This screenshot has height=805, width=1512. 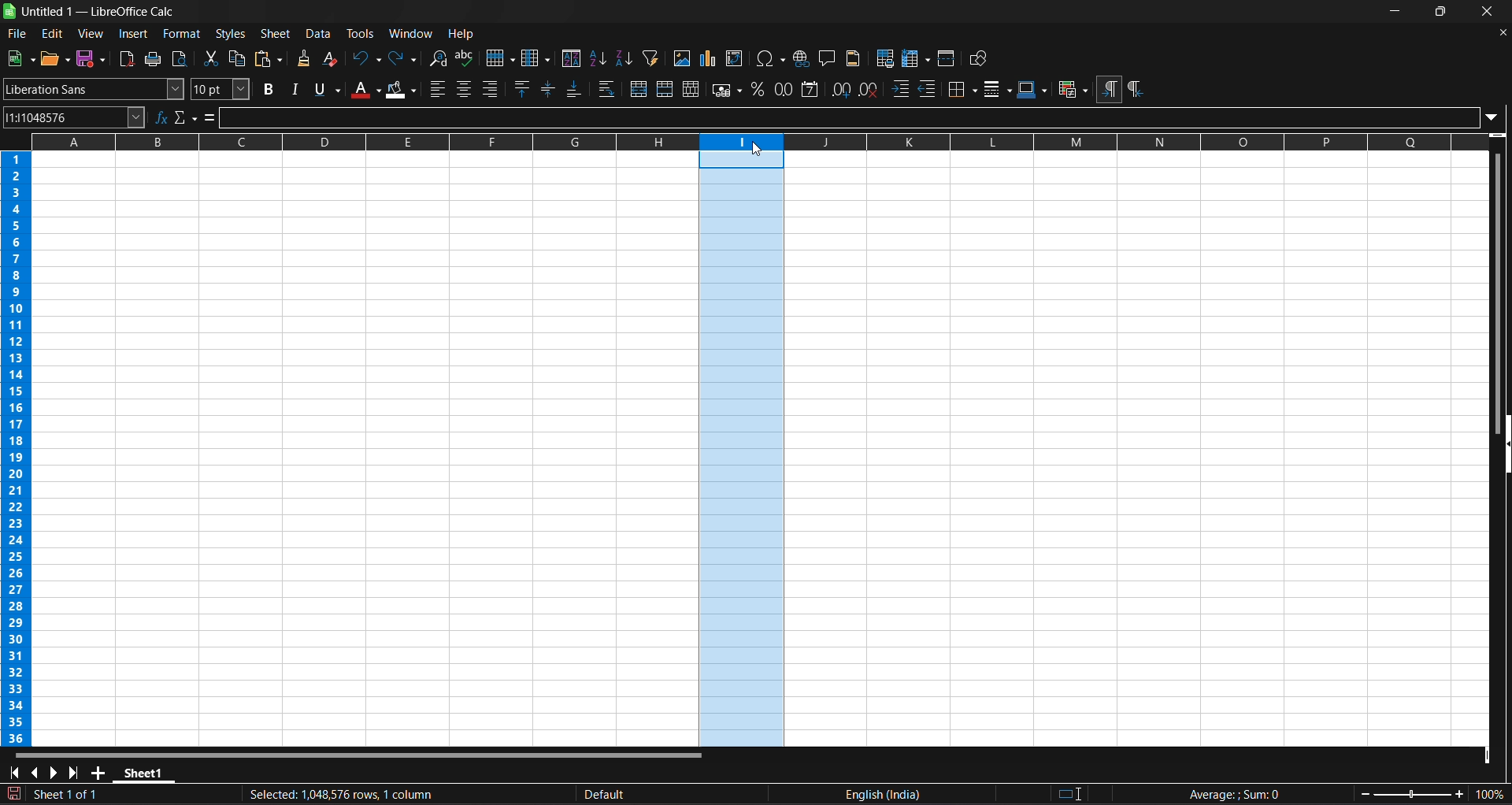 What do you see at coordinates (93, 89) in the screenshot?
I see `font name` at bounding box center [93, 89].